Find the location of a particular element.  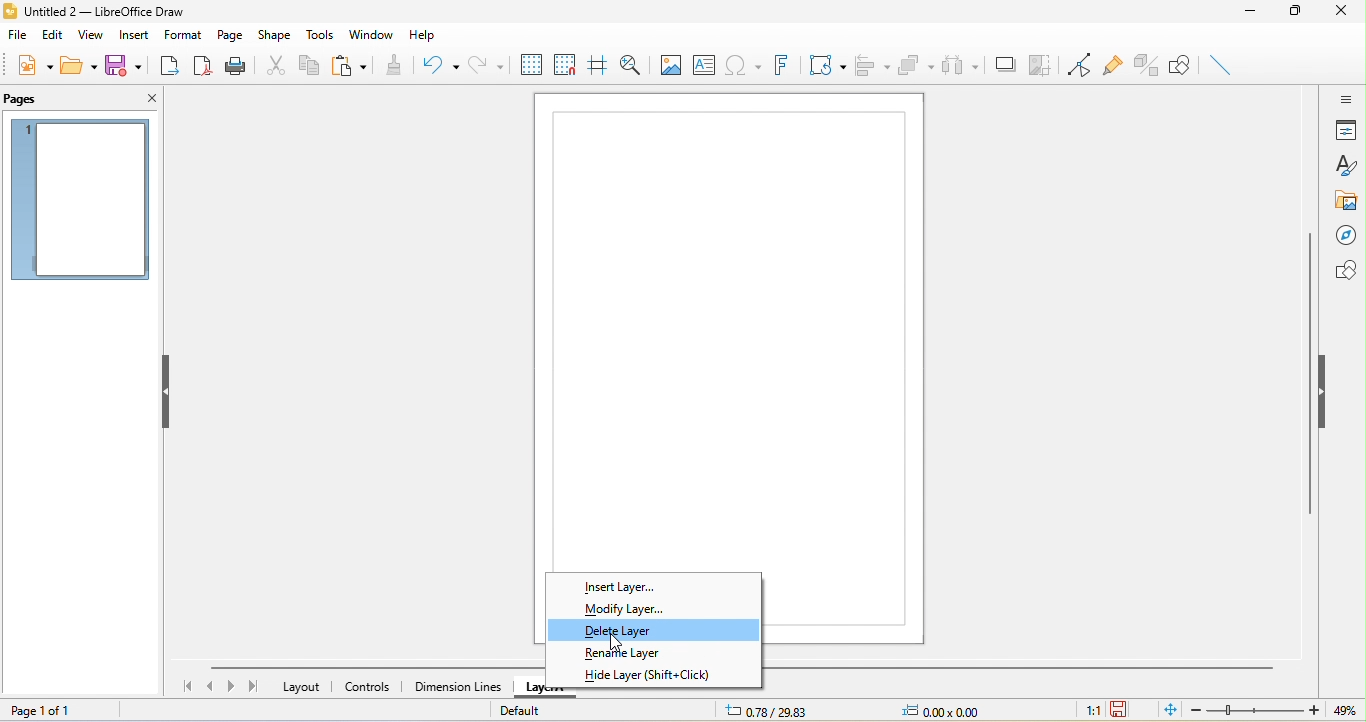

dimension lines is located at coordinates (462, 687).